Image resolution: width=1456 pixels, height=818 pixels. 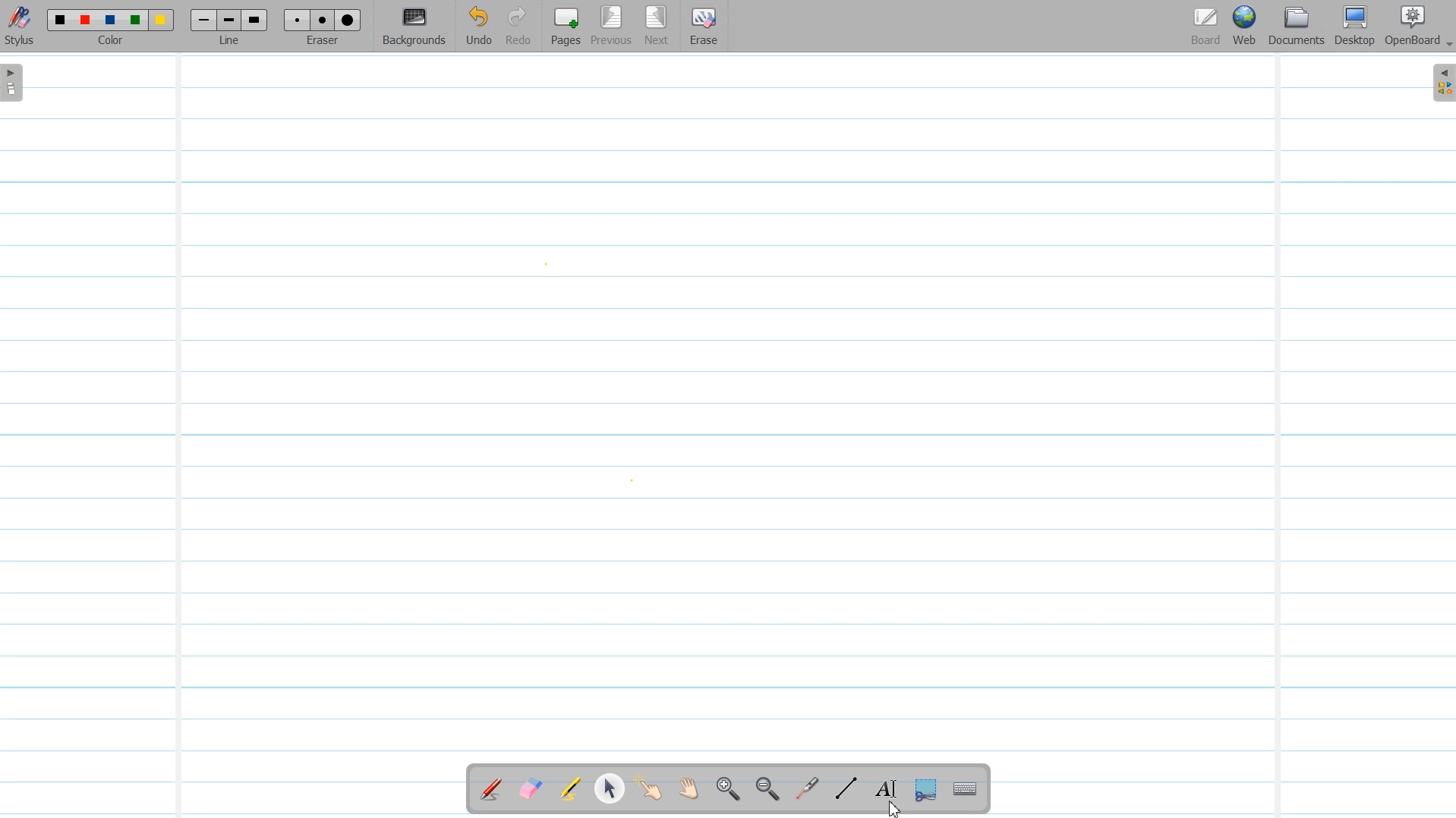 I want to click on Highlight, so click(x=570, y=791).